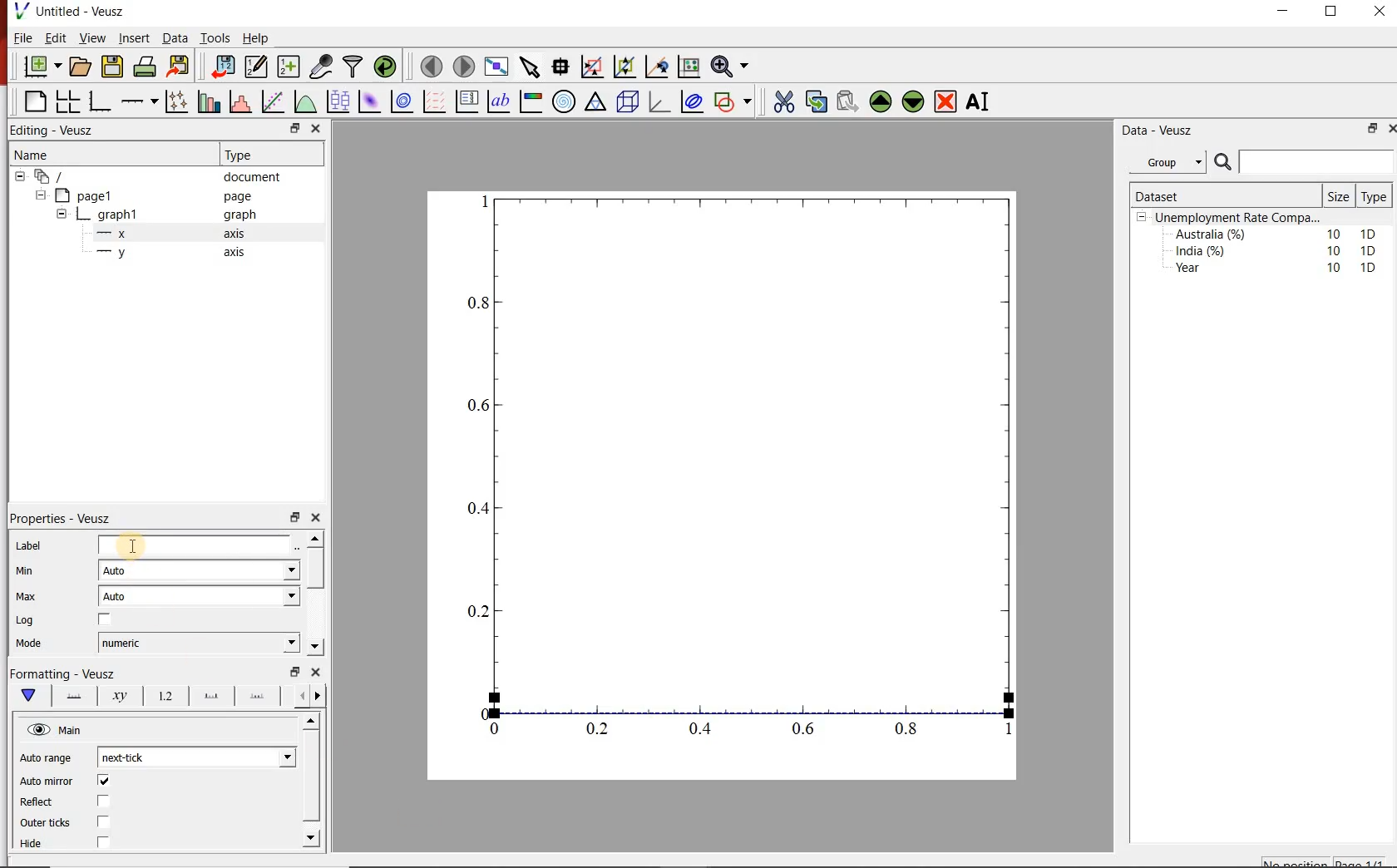 Image resolution: width=1397 pixels, height=868 pixels. Describe the element at coordinates (258, 65) in the screenshot. I see `edit and enter new datasets` at that location.